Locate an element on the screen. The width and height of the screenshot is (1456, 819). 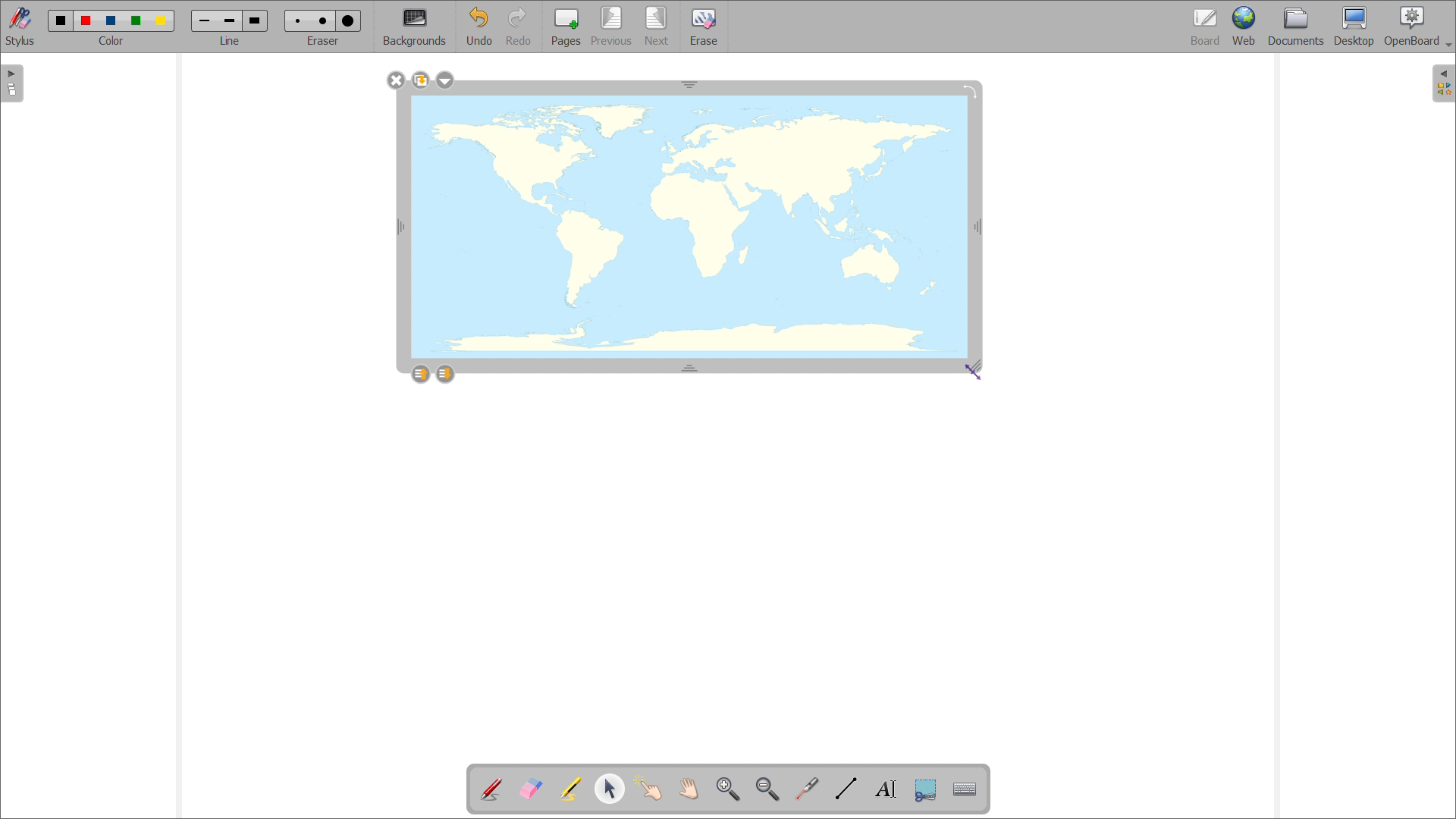
black is located at coordinates (61, 20).